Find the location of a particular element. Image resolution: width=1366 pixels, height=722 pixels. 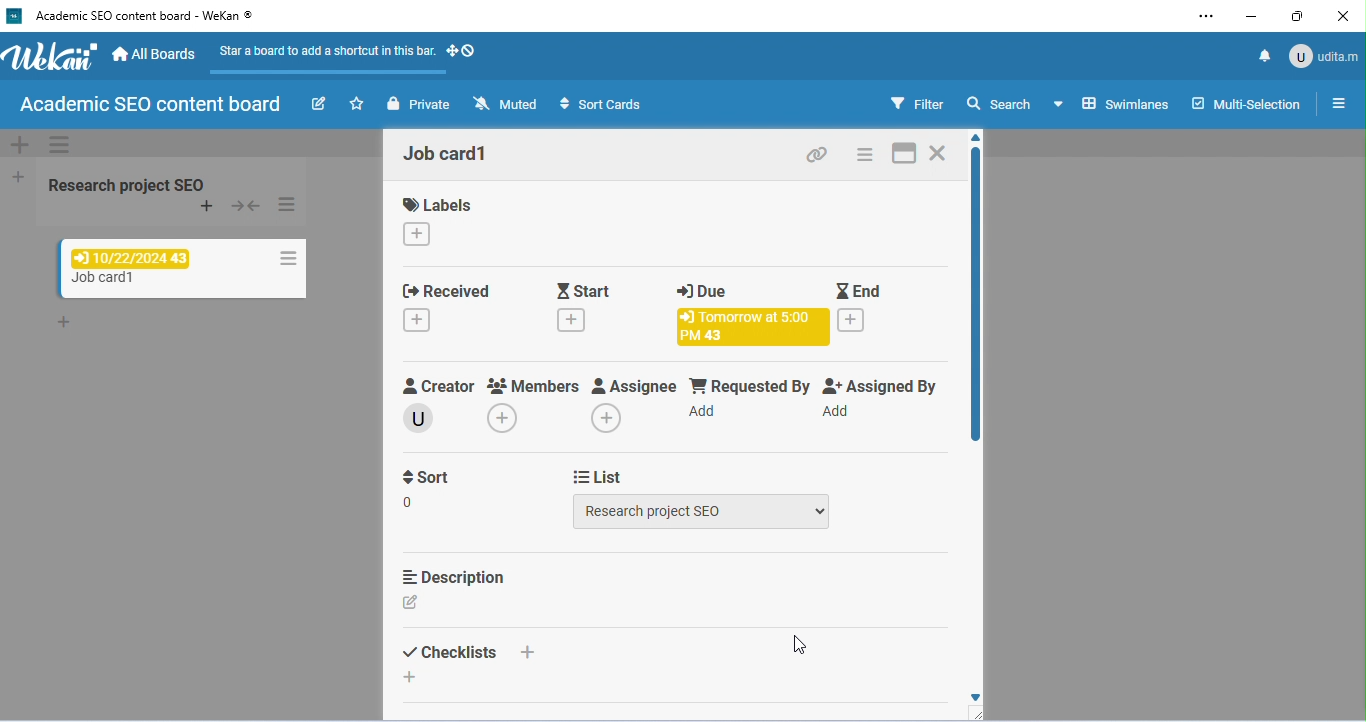

star a board to add a shortcut in this bar is located at coordinates (323, 57).